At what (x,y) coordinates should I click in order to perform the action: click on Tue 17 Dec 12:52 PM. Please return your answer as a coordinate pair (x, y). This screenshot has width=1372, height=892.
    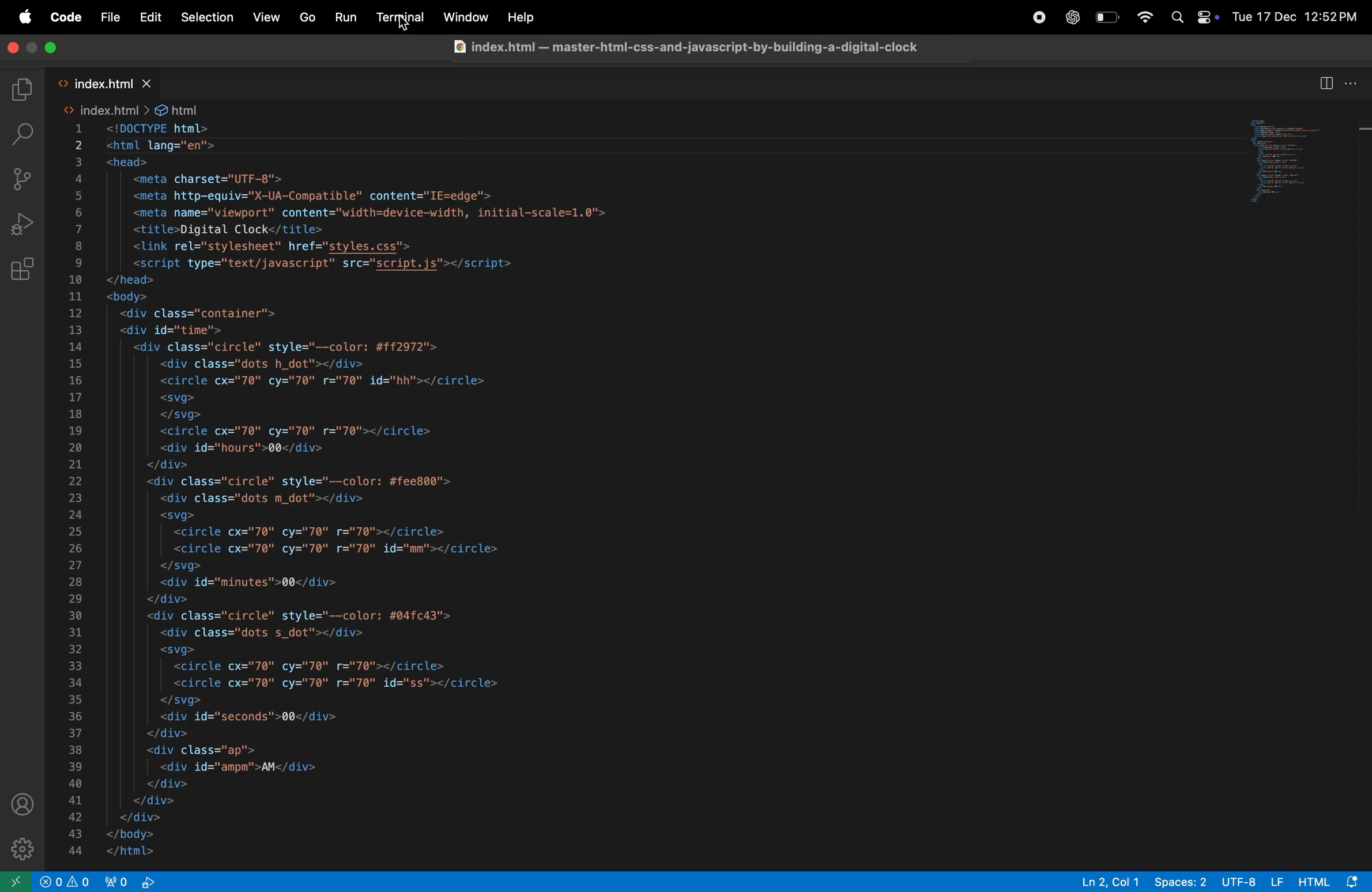
    Looking at the image, I should click on (1295, 14).